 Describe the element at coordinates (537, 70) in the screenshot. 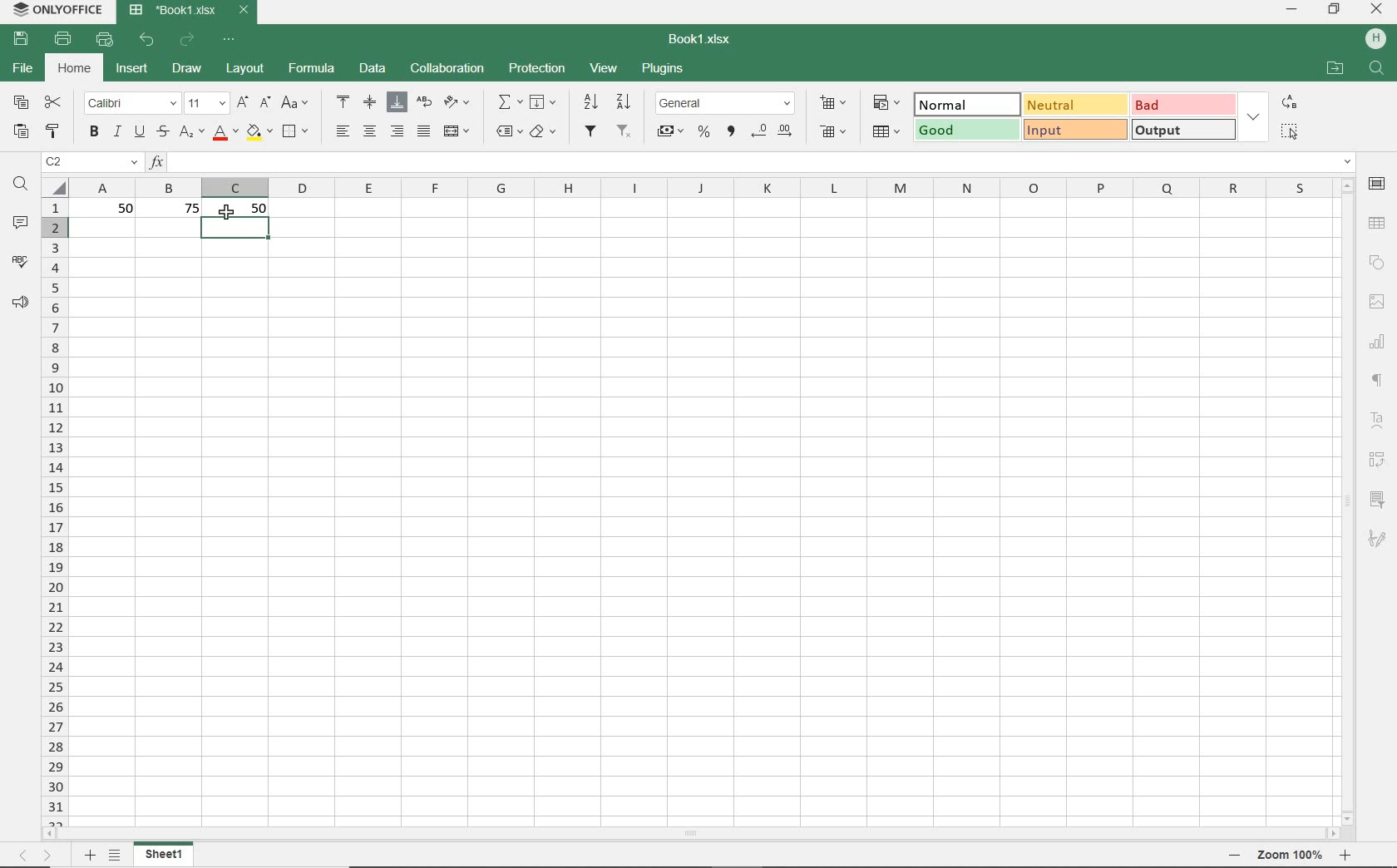

I see `protection` at that location.